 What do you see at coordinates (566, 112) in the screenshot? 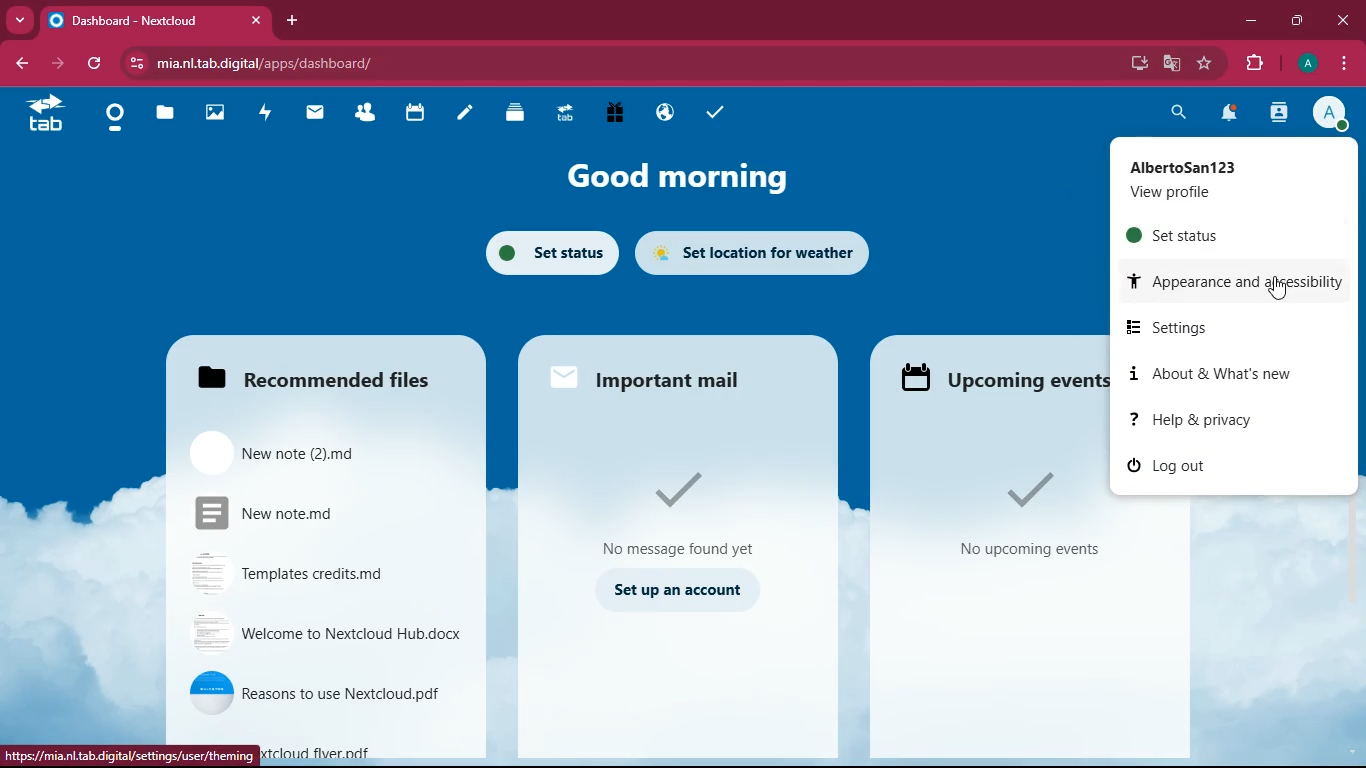
I see `tab` at bounding box center [566, 112].